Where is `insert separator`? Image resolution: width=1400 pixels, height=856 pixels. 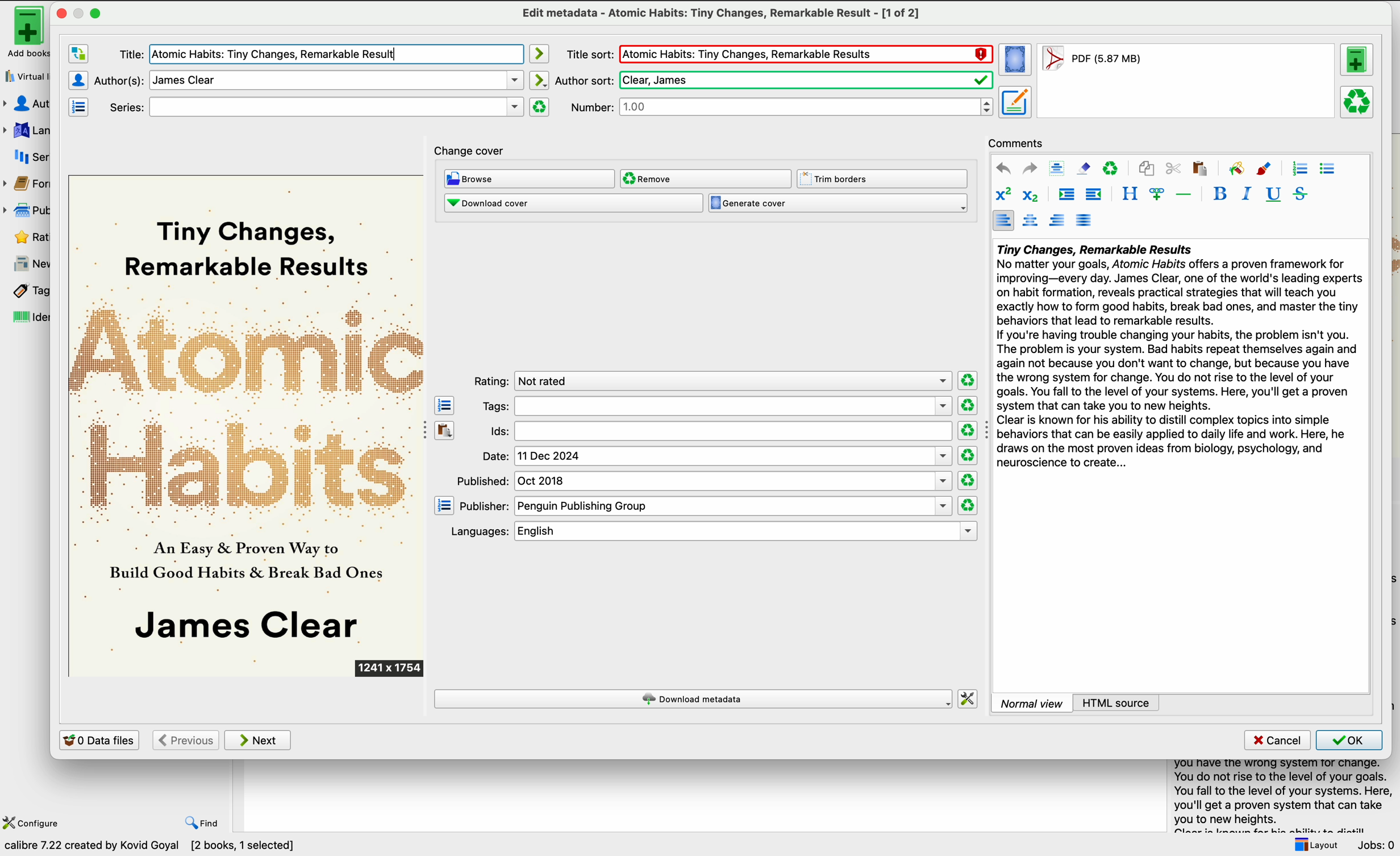 insert separator is located at coordinates (1184, 194).